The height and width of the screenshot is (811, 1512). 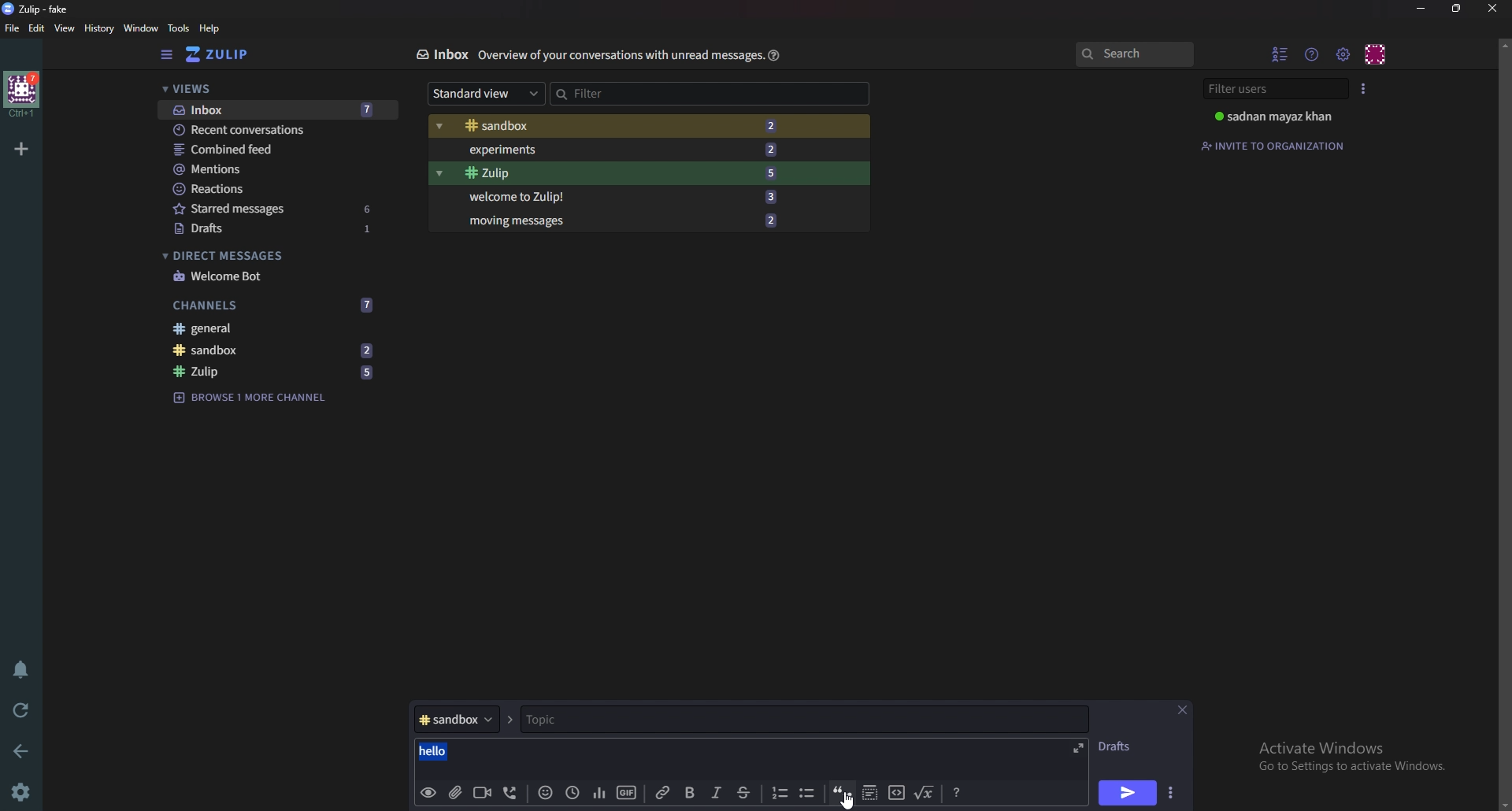 What do you see at coordinates (843, 792) in the screenshot?
I see `quote` at bounding box center [843, 792].